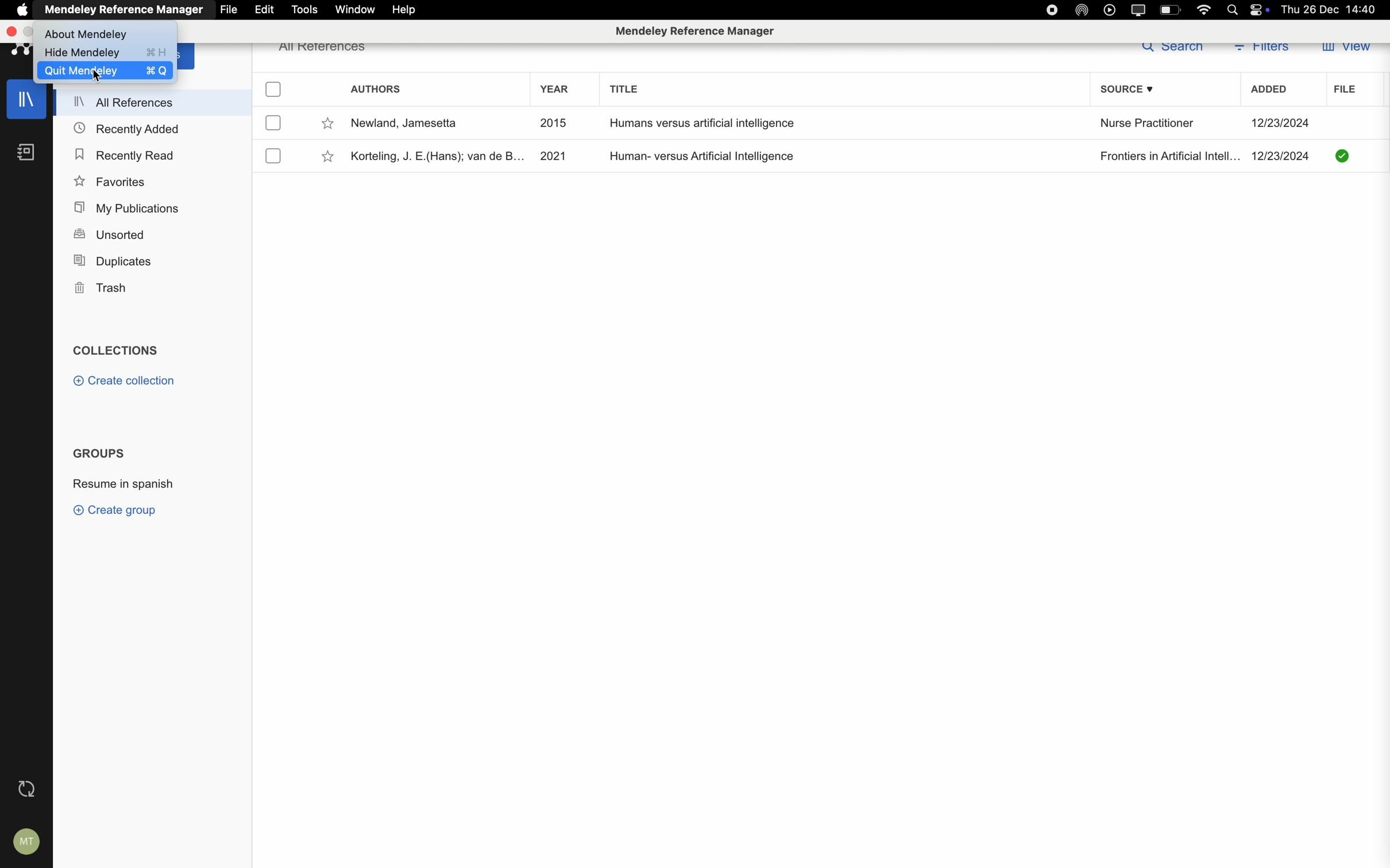 The image size is (1390, 868). I want to click on close Mendeley, so click(10, 32).